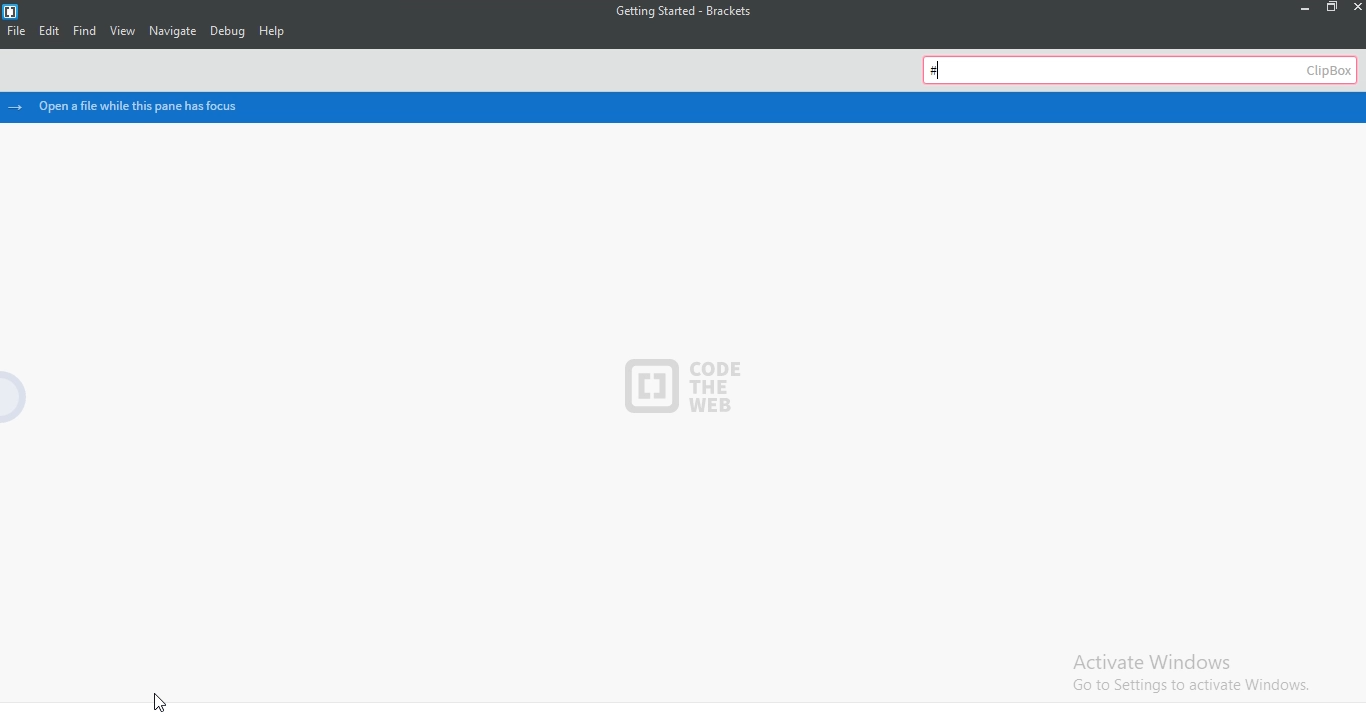 The image size is (1366, 724). Describe the element at coordinates (46, 32) in the screenshot. I see `edit` at that location.